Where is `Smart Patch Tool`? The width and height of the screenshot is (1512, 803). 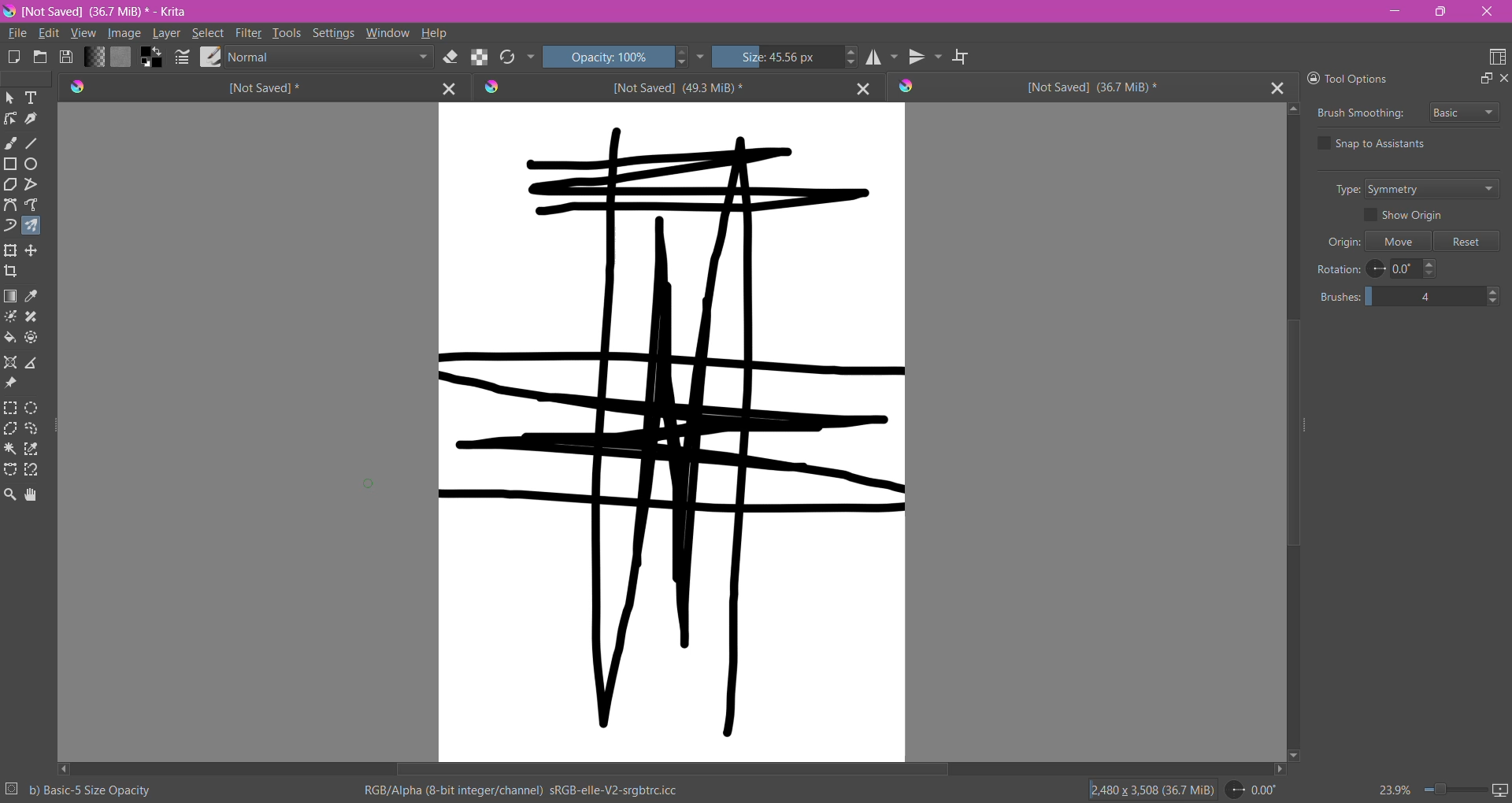
Smart Patch Tool is located at coordinates (32, 317).